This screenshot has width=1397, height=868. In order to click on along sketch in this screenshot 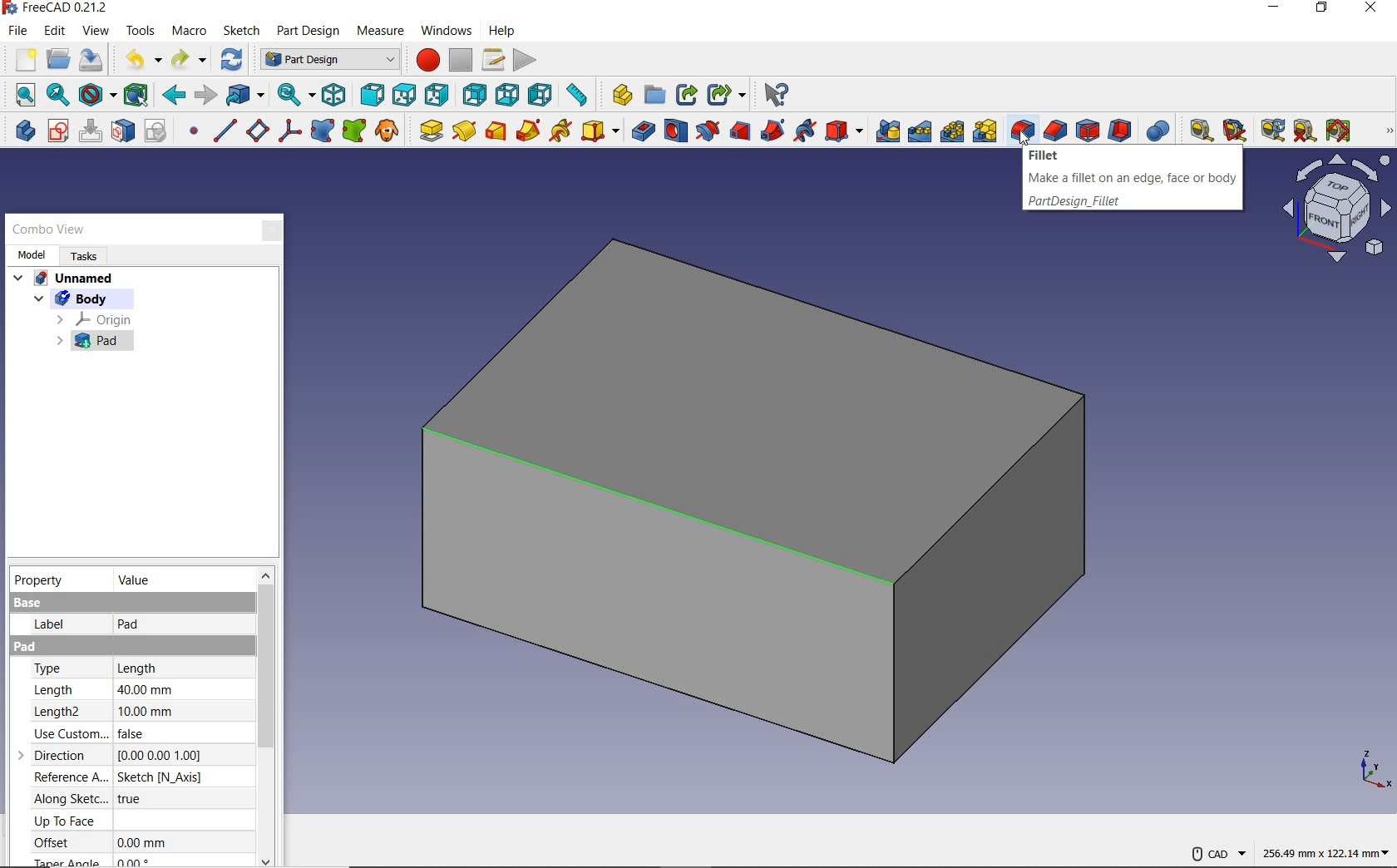, I will do `click(68, 800)`.